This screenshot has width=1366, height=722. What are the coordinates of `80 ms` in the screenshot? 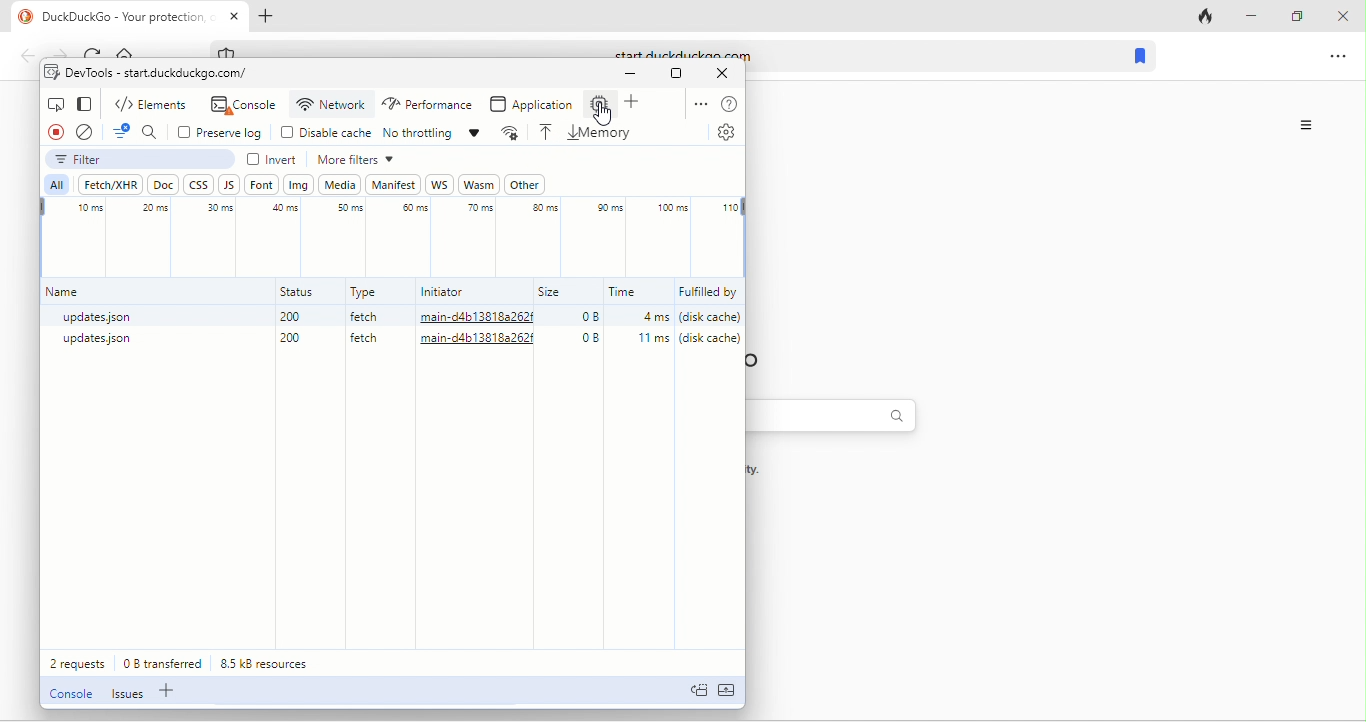 It's located at (534, 219).